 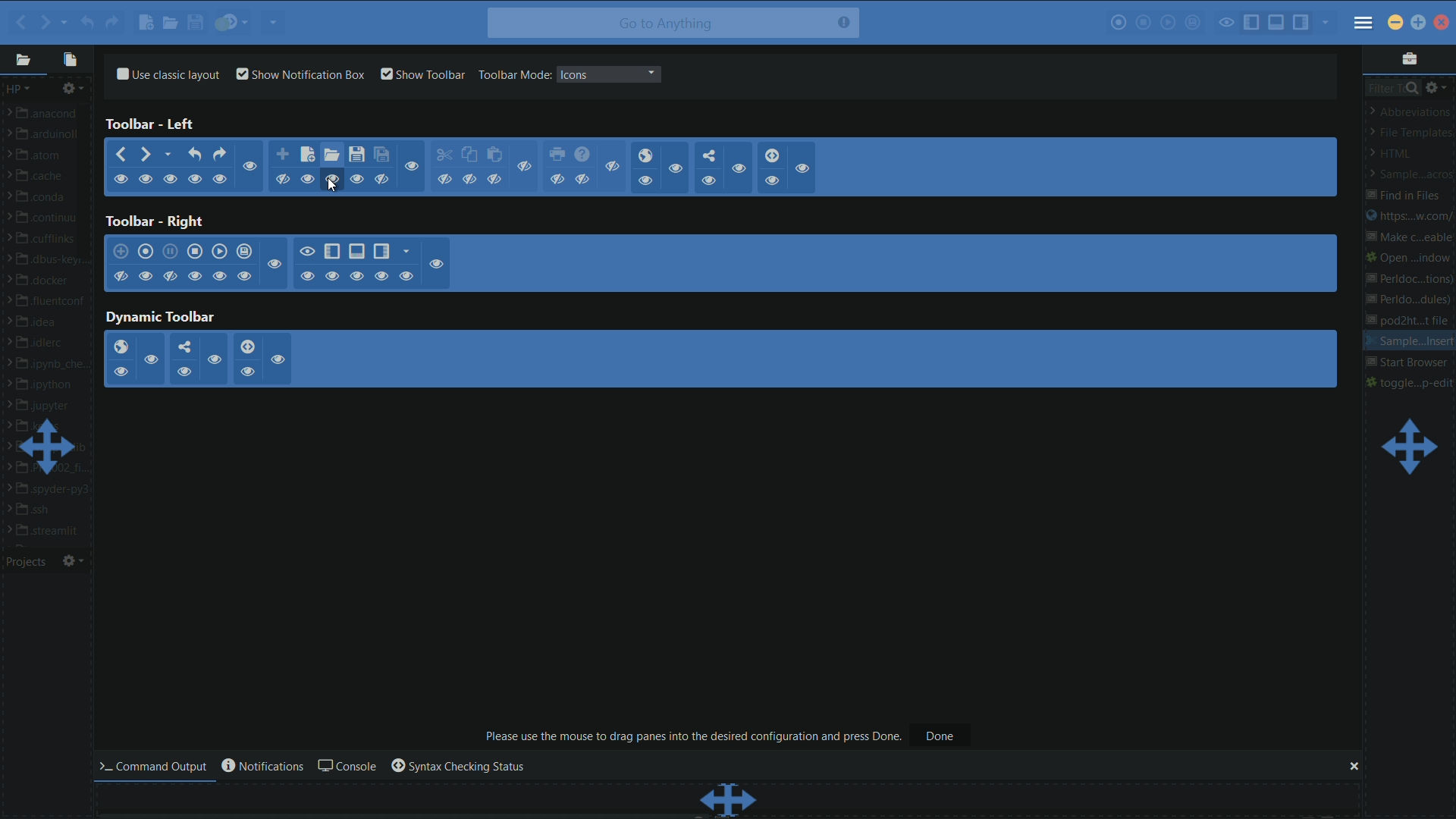 I want to click on new file, so click(x=307, y=154).